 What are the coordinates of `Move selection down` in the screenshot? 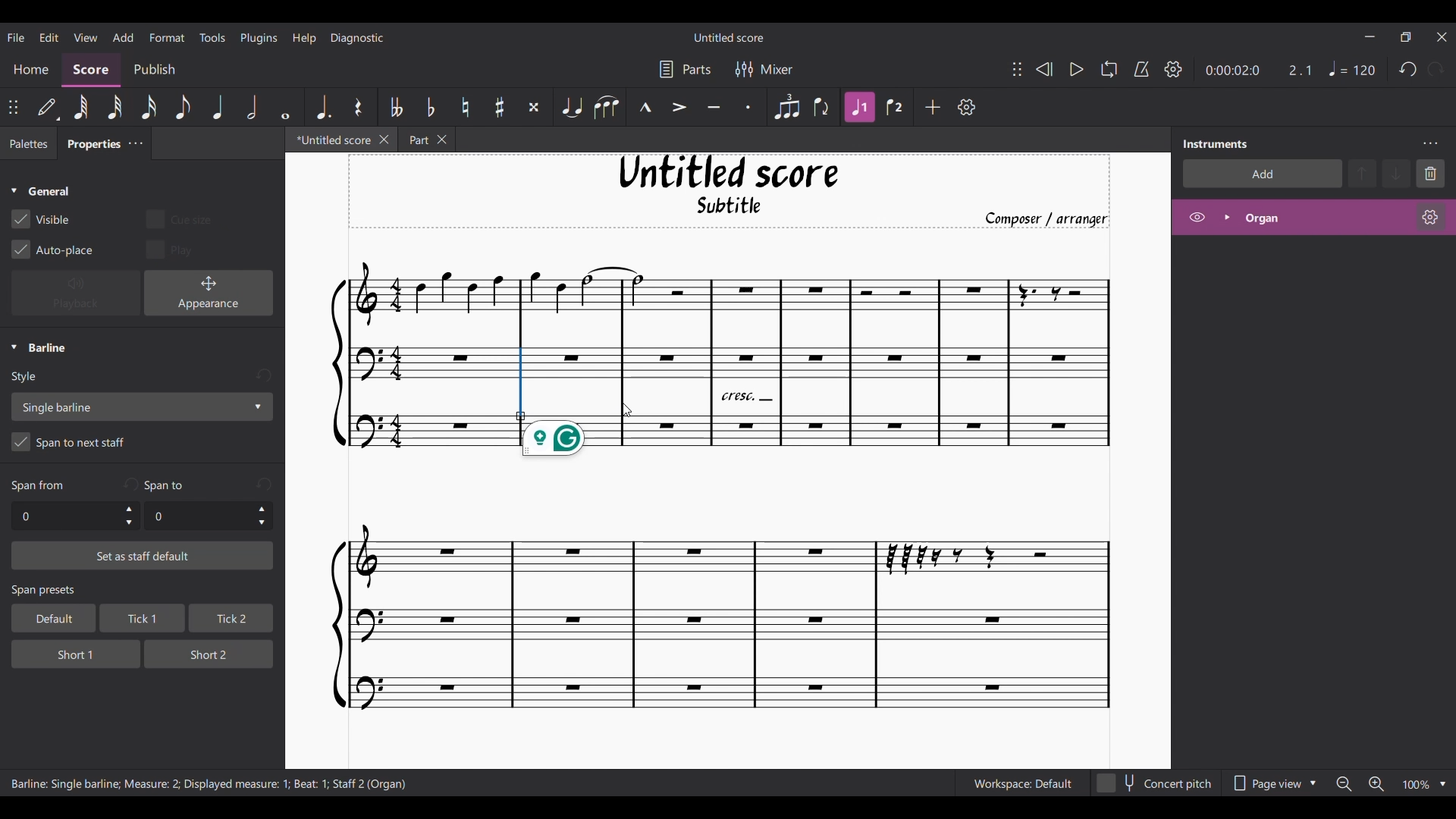 It's located at (1398, 174).